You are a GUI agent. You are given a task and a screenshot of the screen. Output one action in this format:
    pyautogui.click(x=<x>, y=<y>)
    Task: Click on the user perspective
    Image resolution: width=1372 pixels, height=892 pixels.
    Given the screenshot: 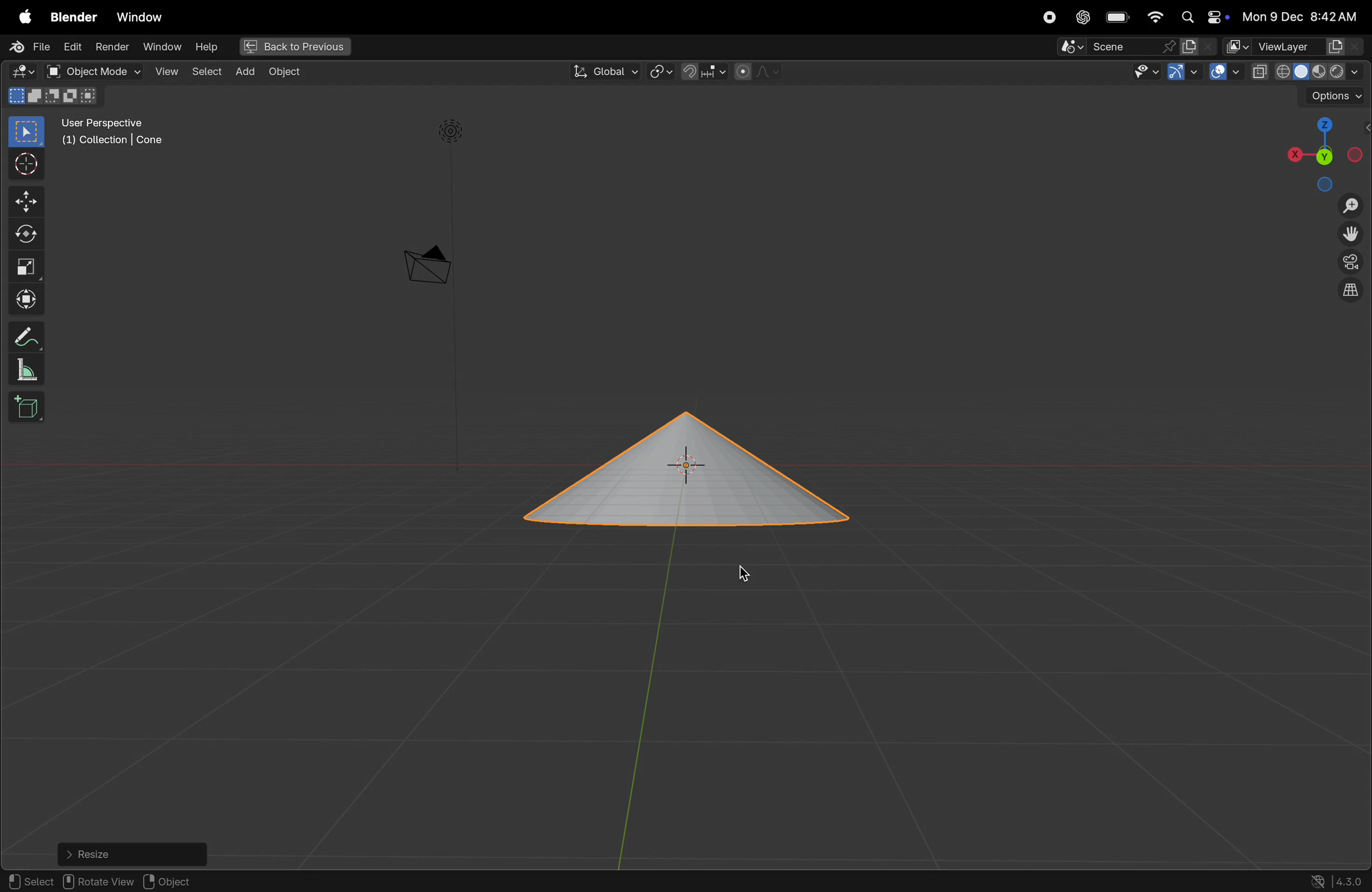 What is the action you would take?
    pyautogui.click(x=114, y=130)
    